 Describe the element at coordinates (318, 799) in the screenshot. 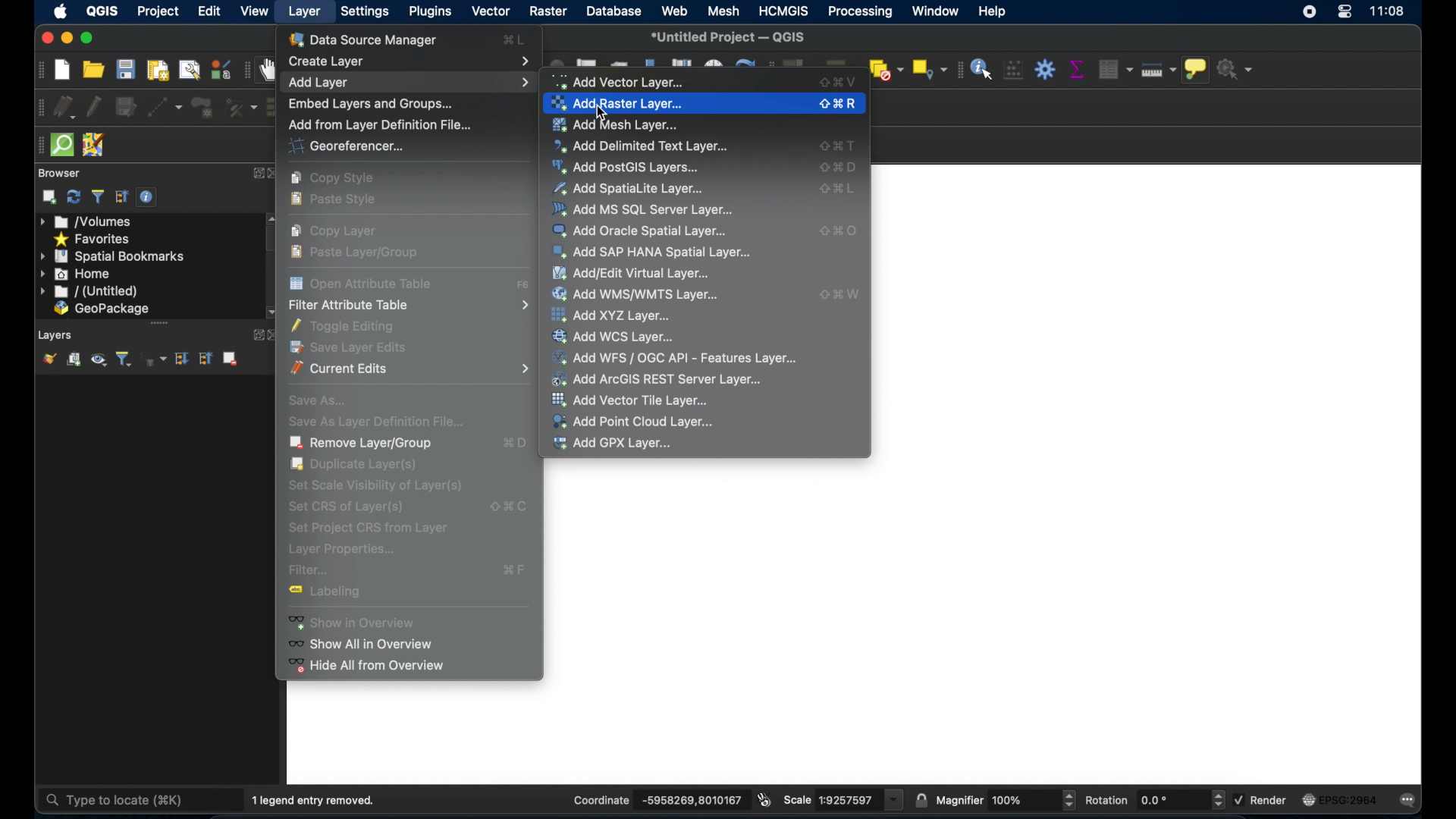

I see `1 legend entry removed` at that location.